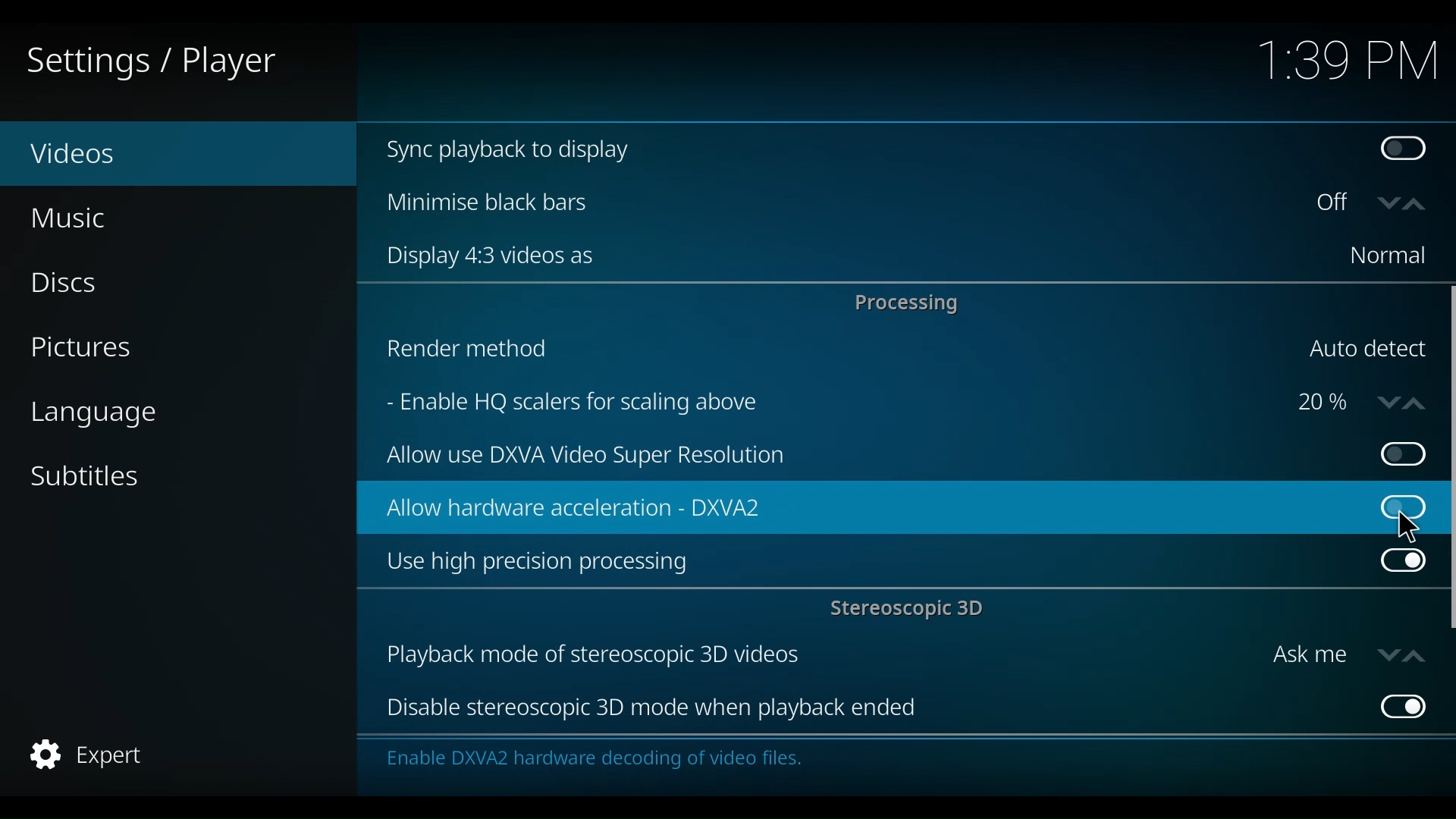  Describe the element at coordinates (1386, 654) in the screenshot. I see `down` at that location.